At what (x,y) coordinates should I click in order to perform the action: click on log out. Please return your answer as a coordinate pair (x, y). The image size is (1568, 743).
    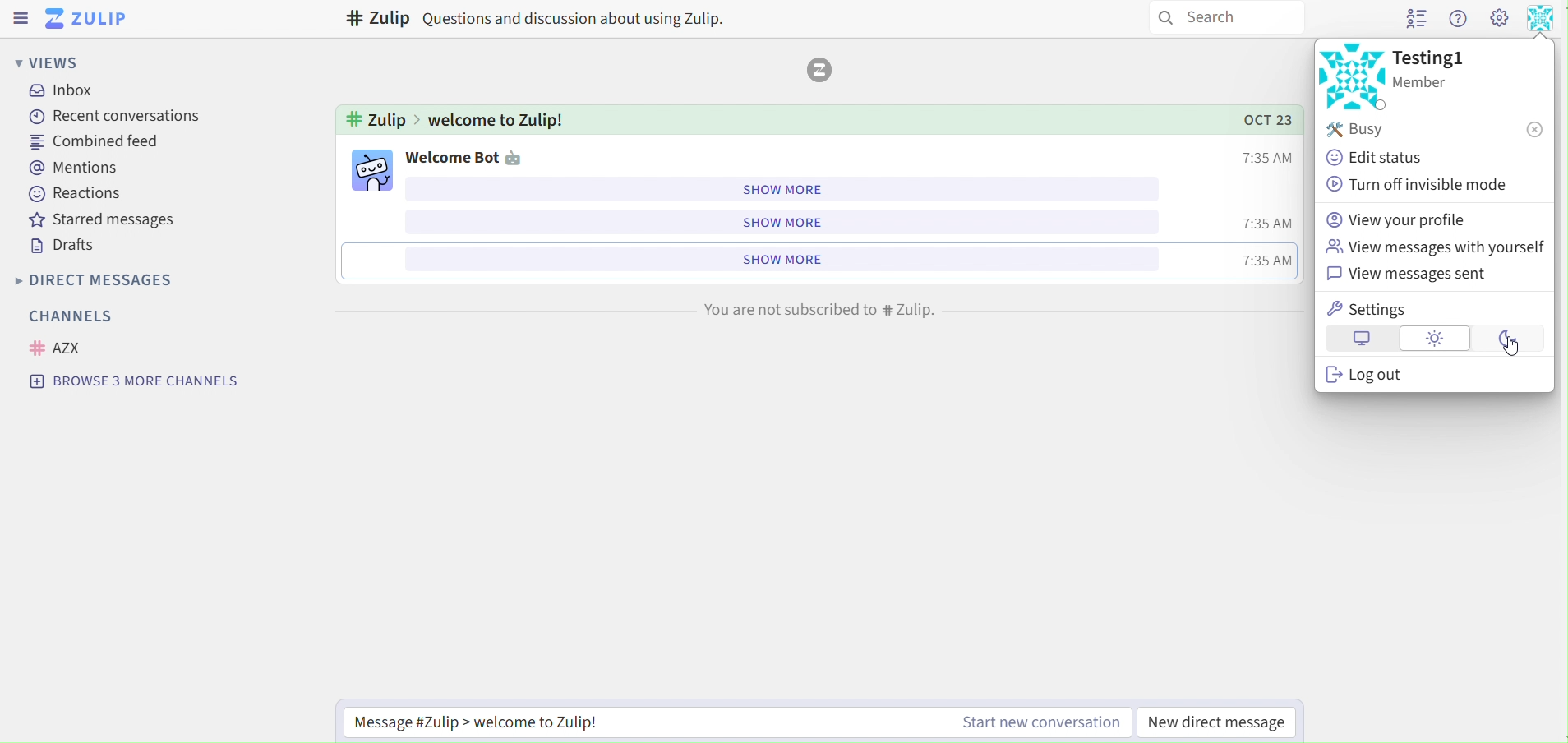
    Looking at the image, I should click on (1376, 377).